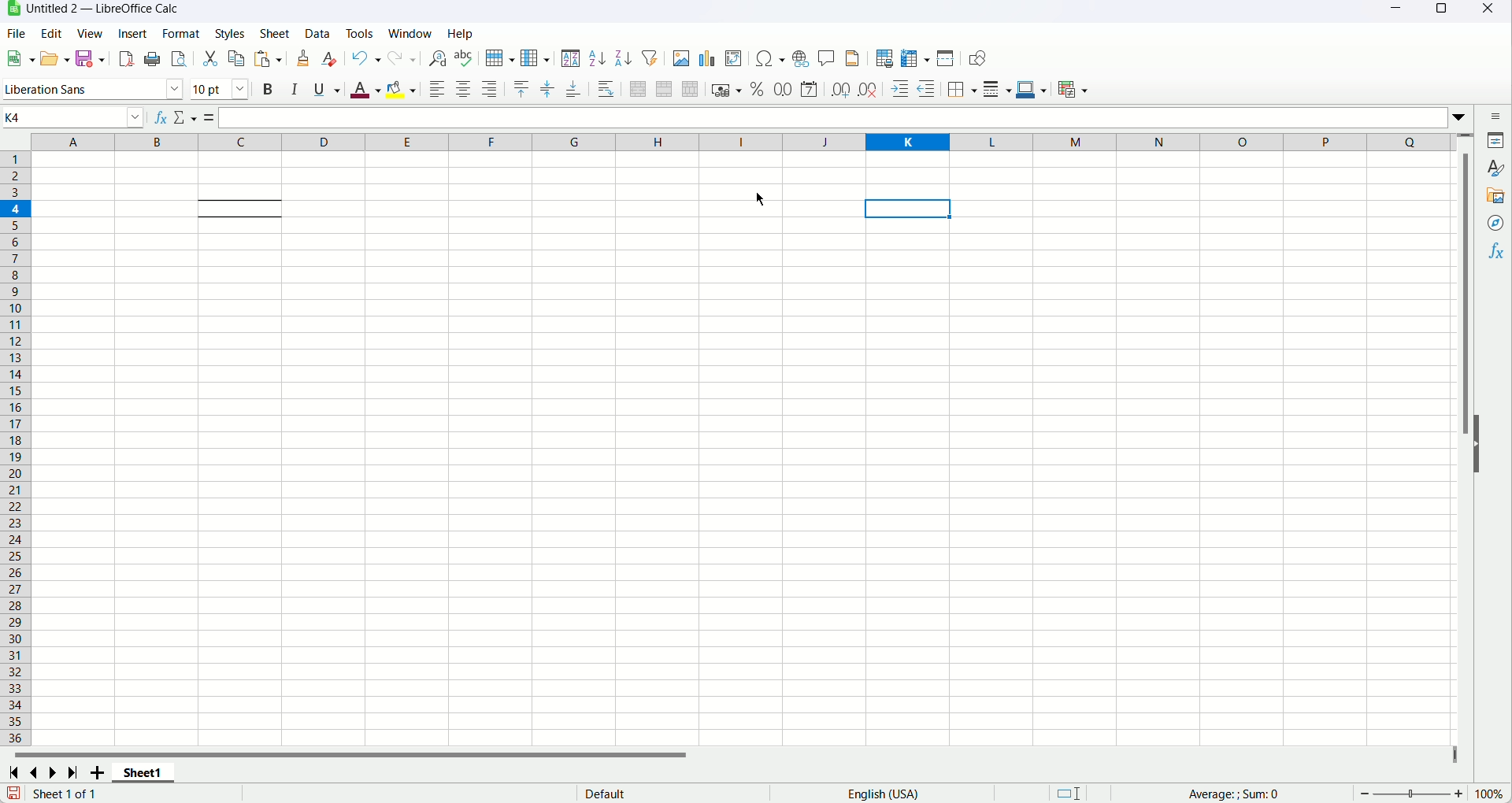 Image resolution: width=1512 pixels, height=803 pixels. What do you see at coordinates (365, 91) in the screenshot?
I see `Font color` at bounding box center [365, 91].